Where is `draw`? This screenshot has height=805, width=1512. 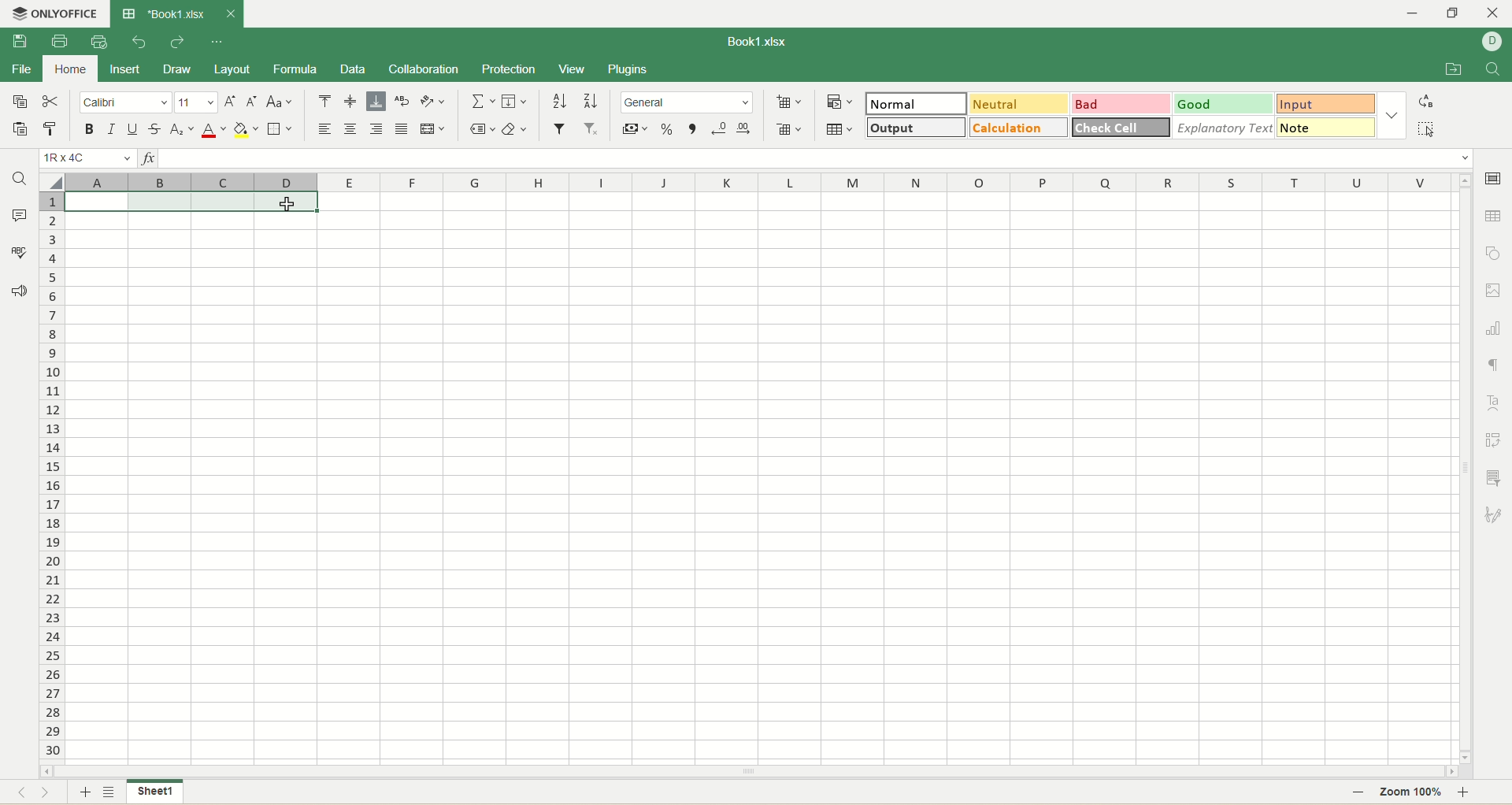 draw is located at coordinates (176, 70).